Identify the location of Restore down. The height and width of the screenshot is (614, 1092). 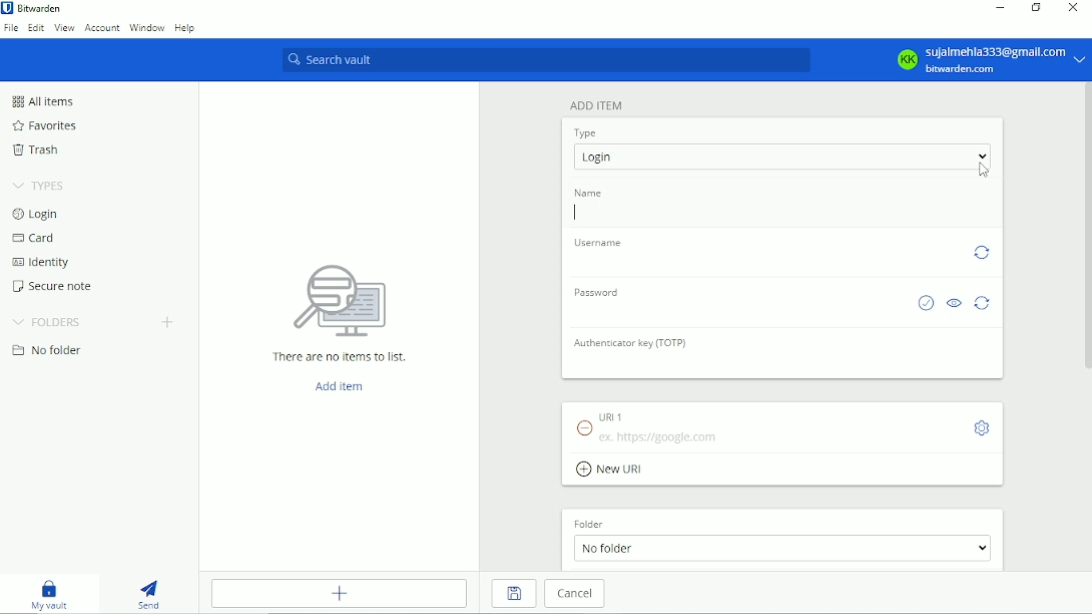
(1034, 8).